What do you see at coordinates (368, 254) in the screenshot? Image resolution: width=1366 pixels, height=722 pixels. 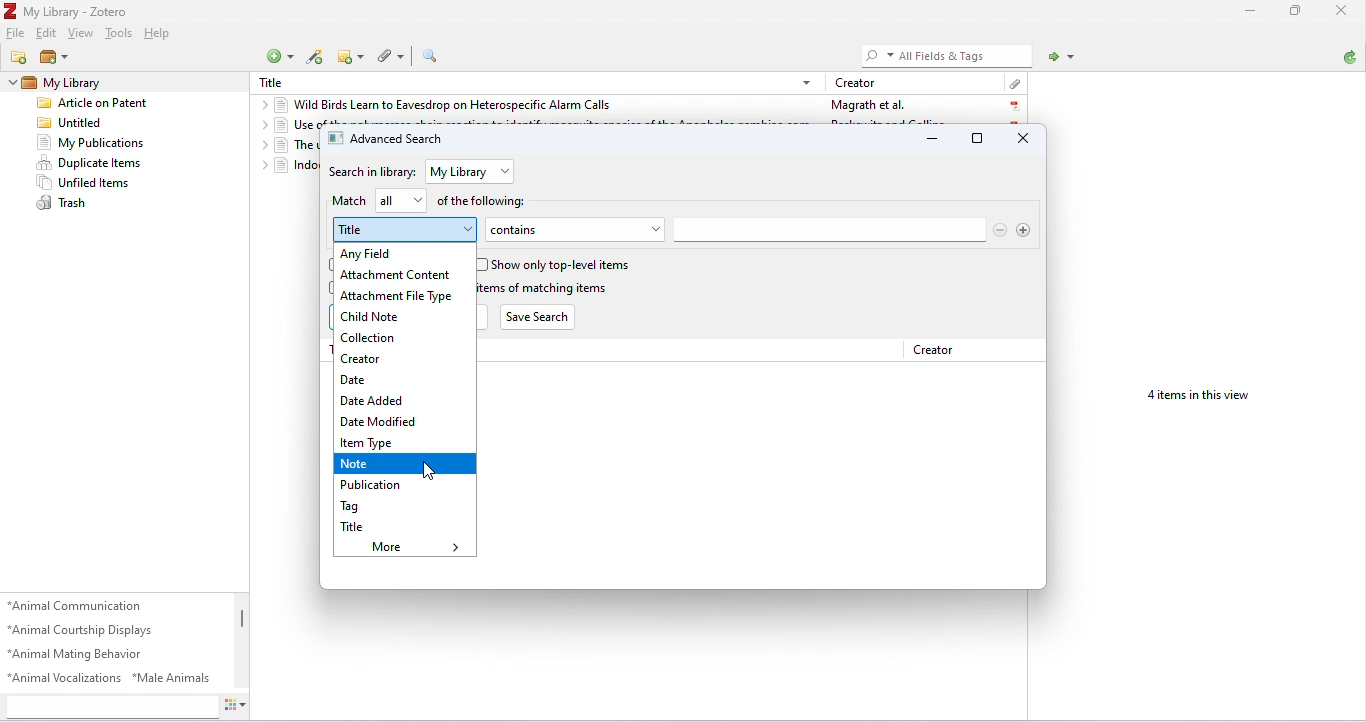 I see `any field` at bounding box center [368, 254].